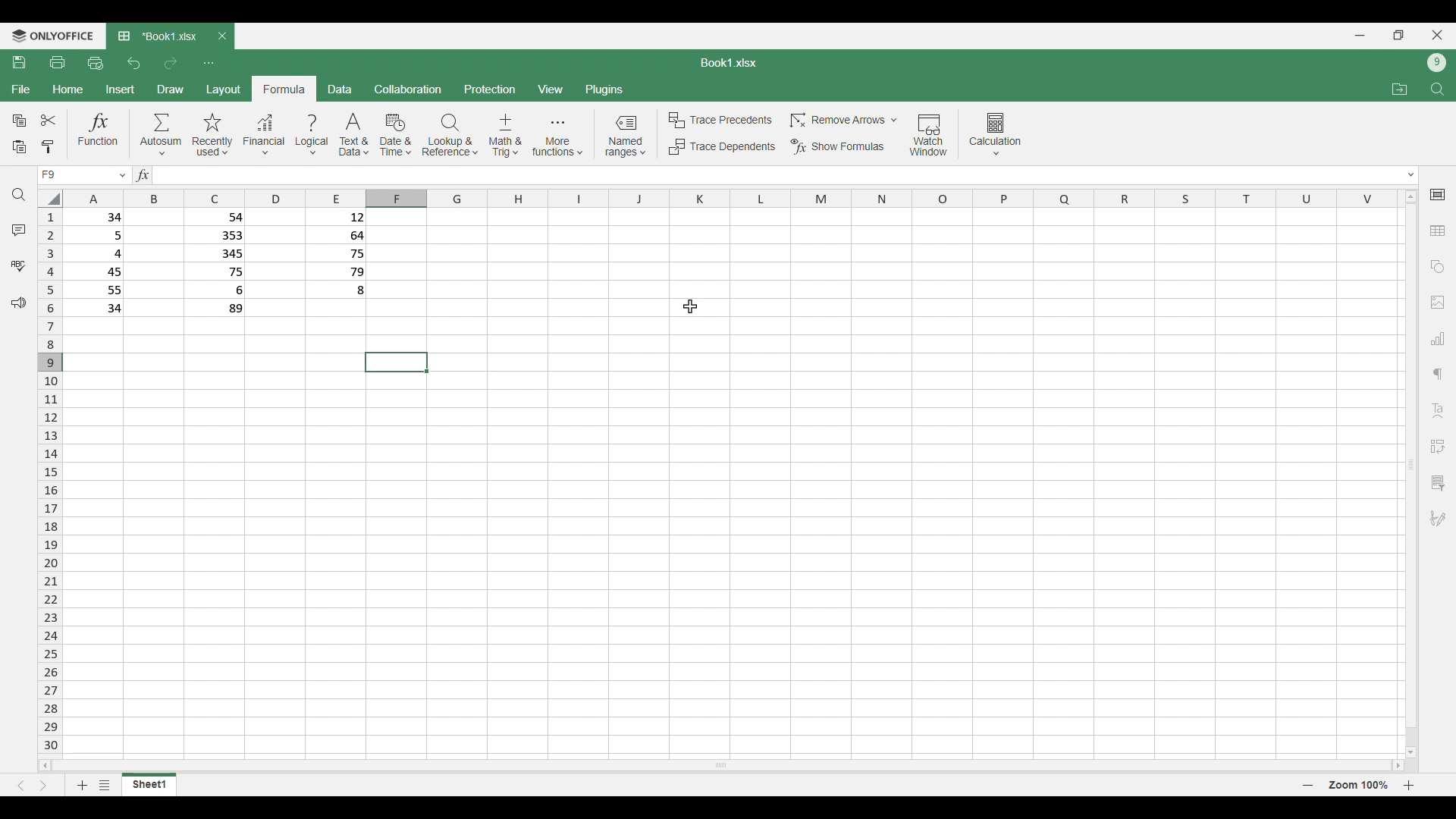 This screenshot has width=1456, height=819. Describe the element at coordinates (1437, 89) in the screenshot. I see `Find` at that location.